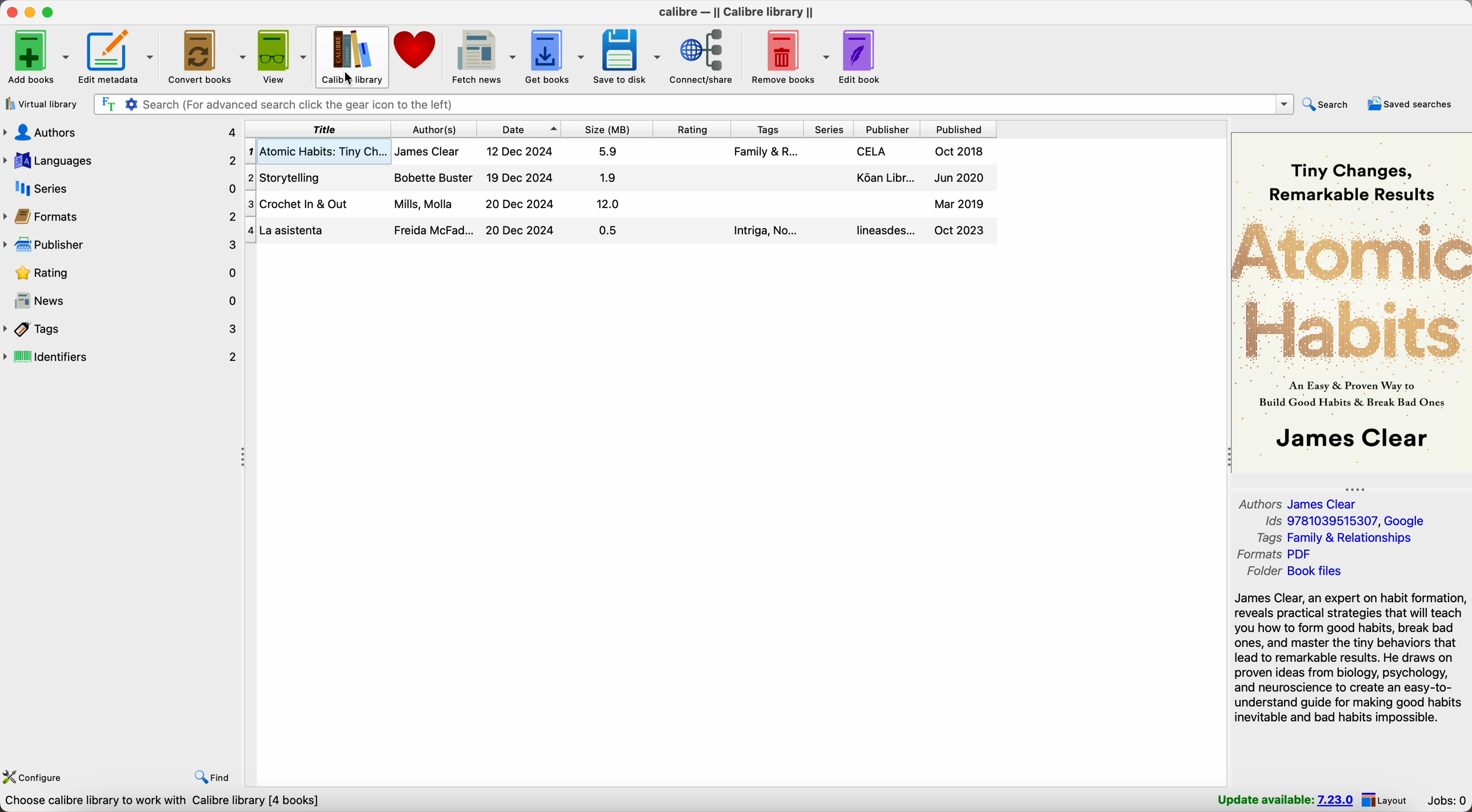  Describe the element at coordinates (706, 57) in the screenshot. I see `connect/share` at that location.